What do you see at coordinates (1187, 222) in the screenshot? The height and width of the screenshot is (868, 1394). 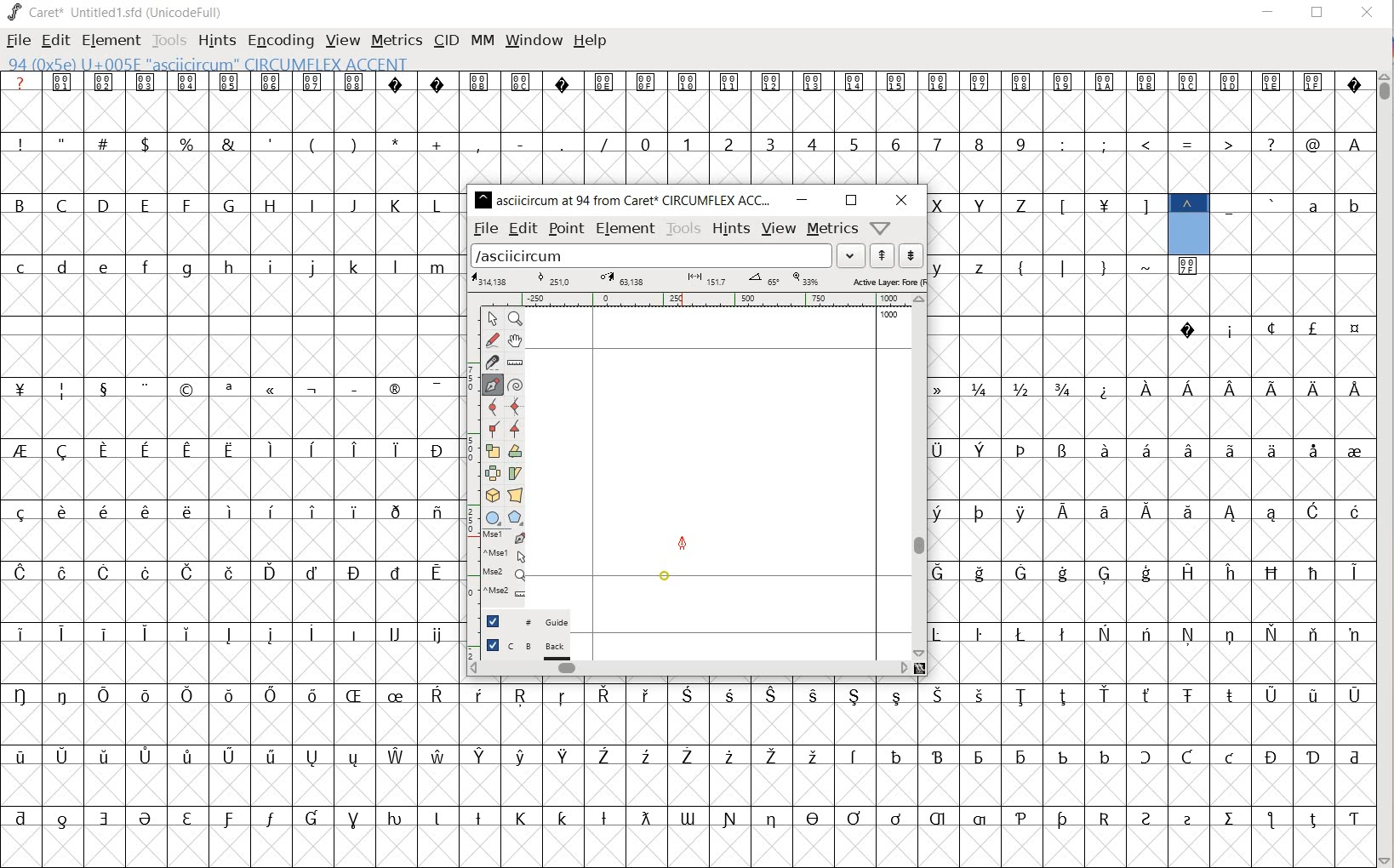 I see `94 0xSe U+00SE "asciicircum" CIRCUMFLEX ACCENT` at bounding box center [1187, 222].